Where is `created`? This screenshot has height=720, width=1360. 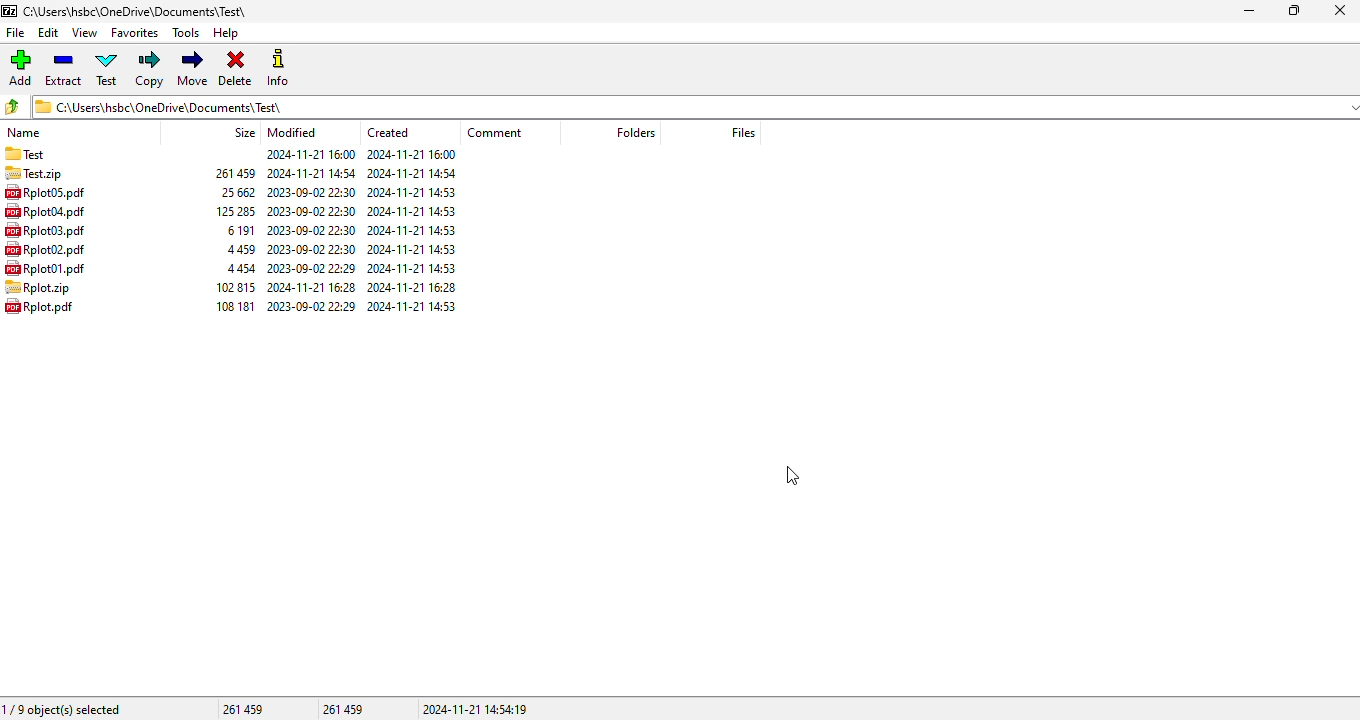 created is located at coordinates (388, 131).